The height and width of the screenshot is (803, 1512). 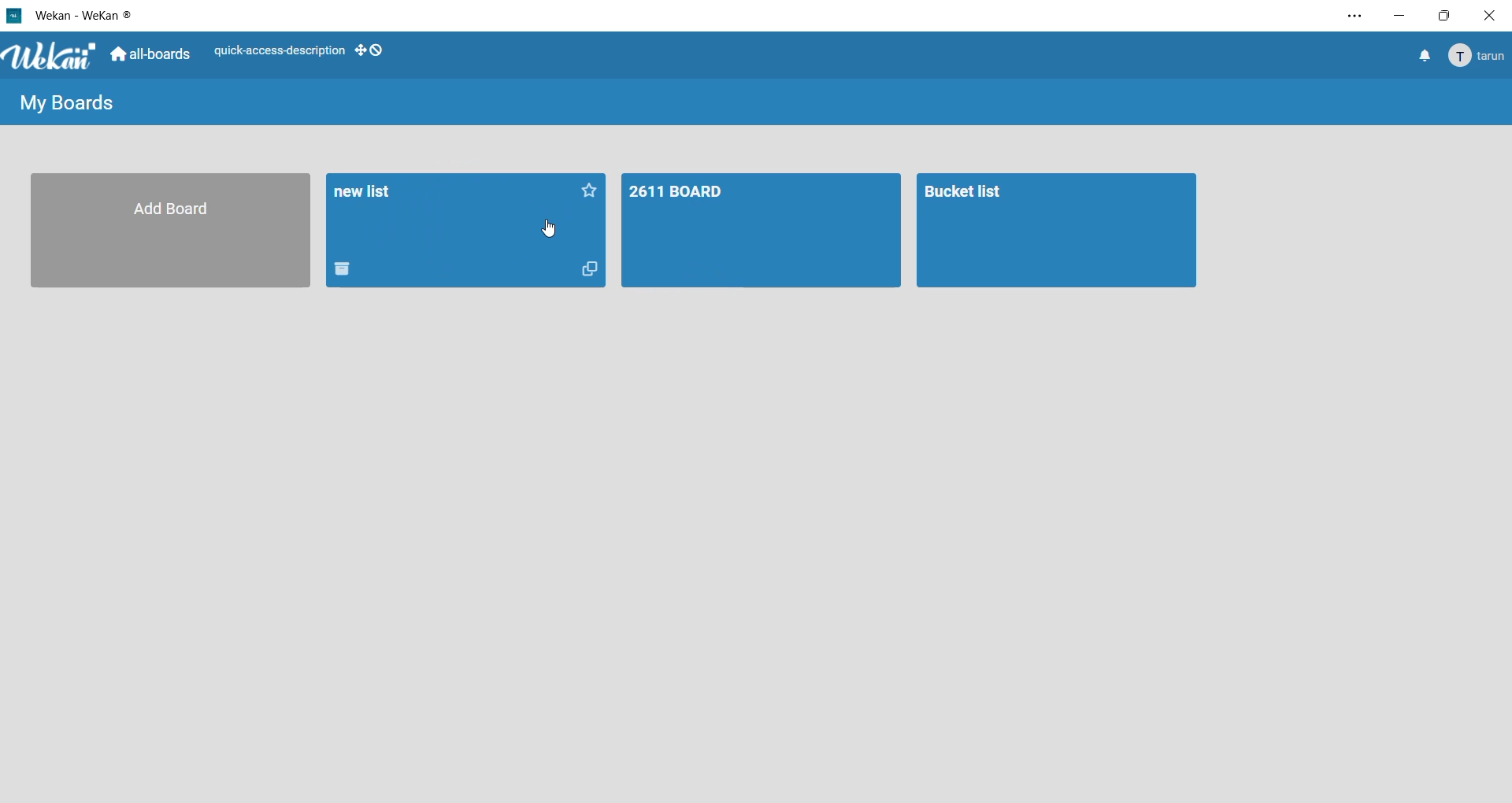 I want to click on board 1, so click(x=761, y=232).